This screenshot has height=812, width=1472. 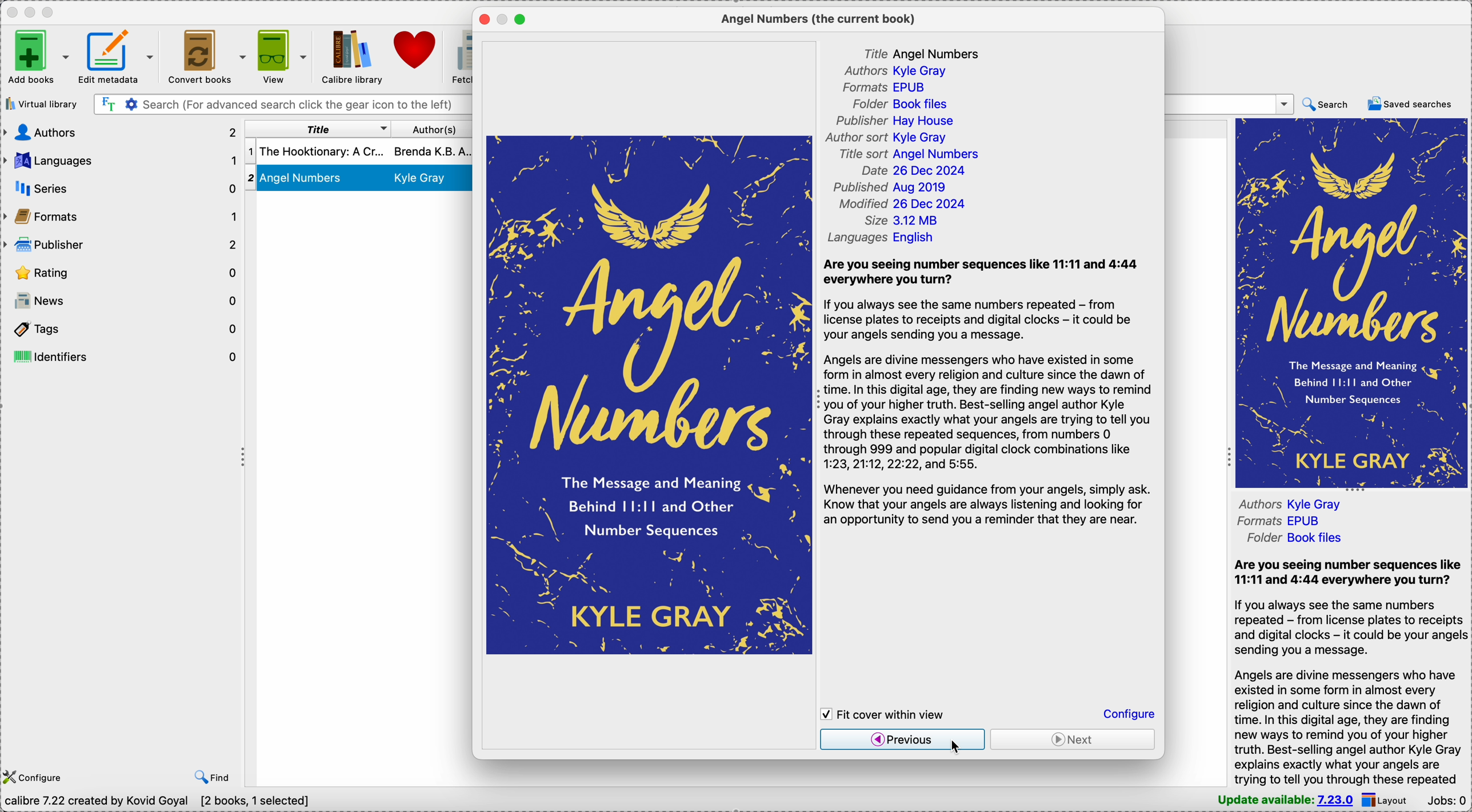 I want to click on data, so click(x=154, y=803).